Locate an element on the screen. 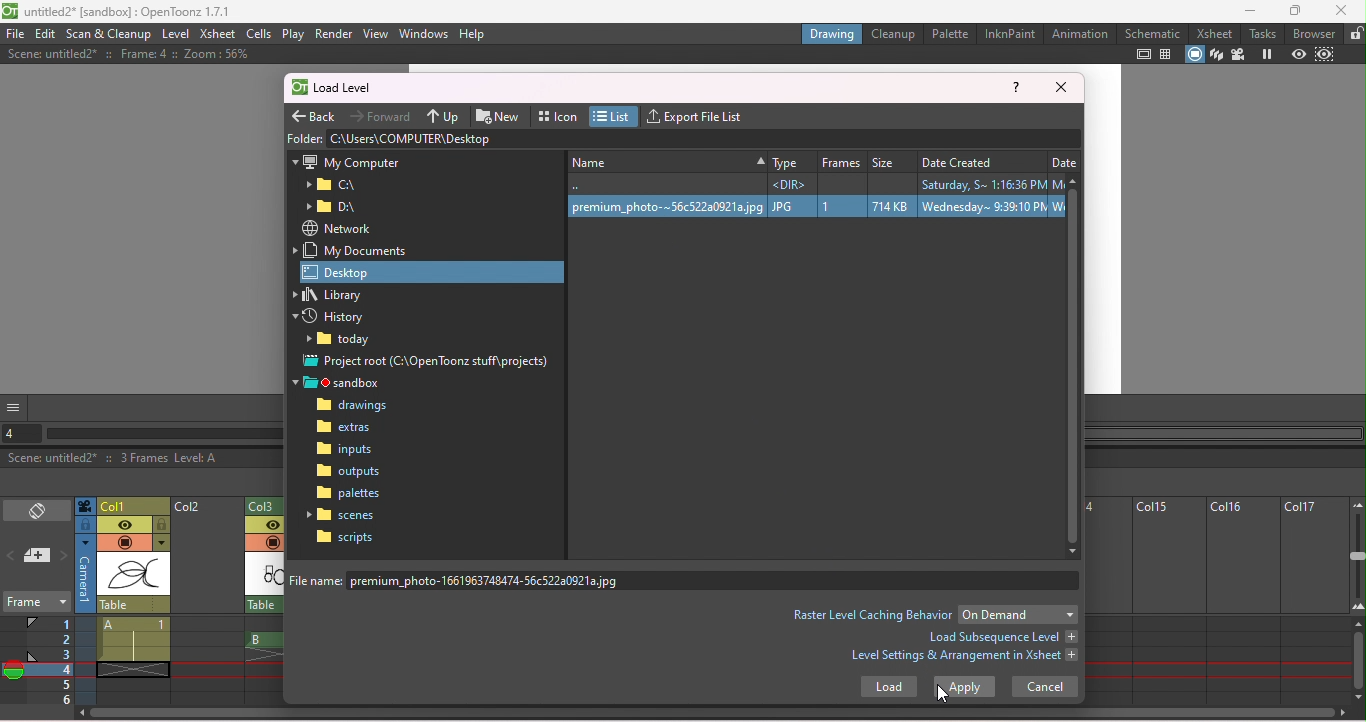 The width and height of the screenshot is (1366, 722). History is located at coordinates (337, 318).